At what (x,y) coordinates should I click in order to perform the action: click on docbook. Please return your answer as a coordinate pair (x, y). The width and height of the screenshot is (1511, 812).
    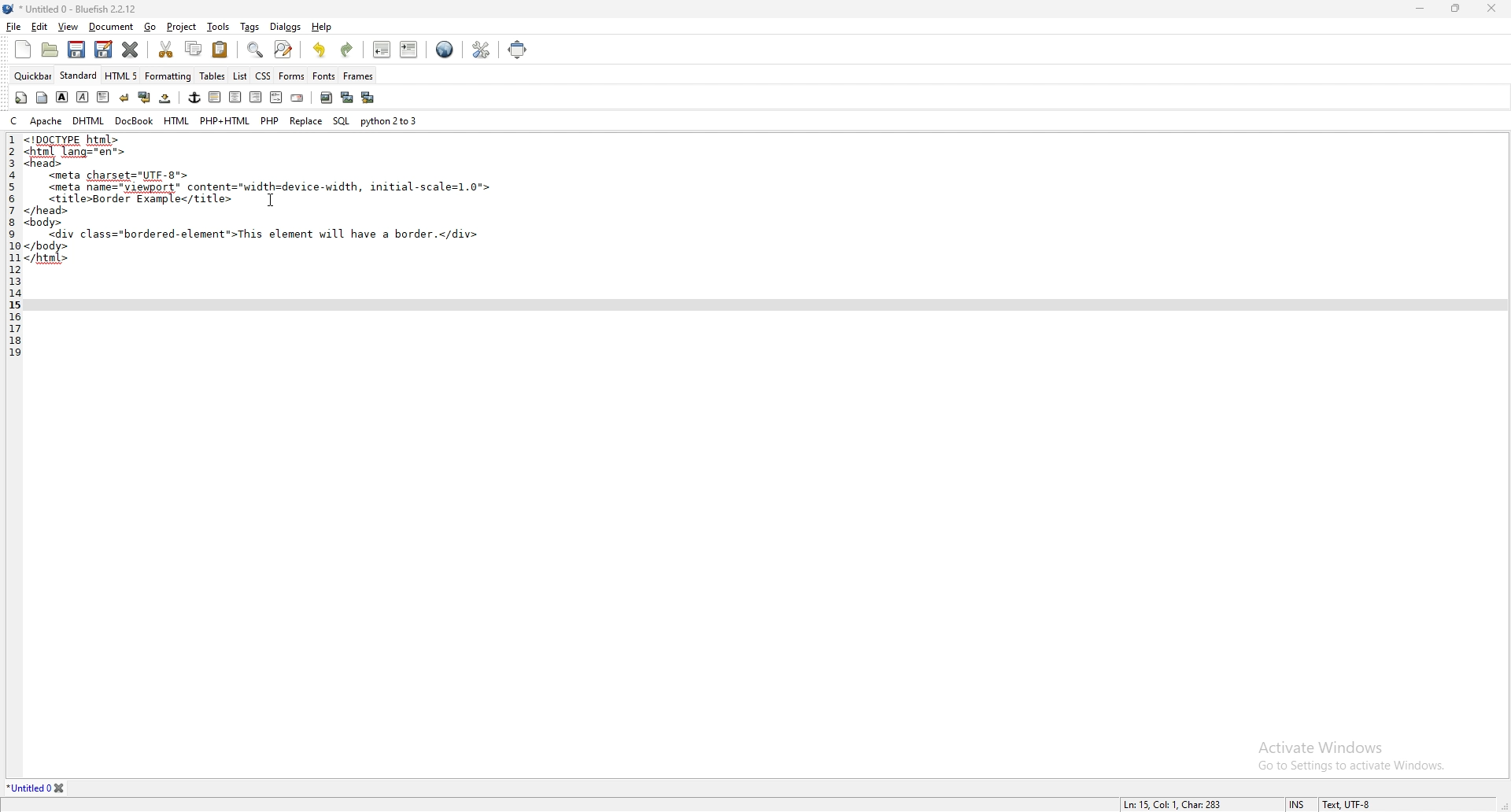
    Looking at the image, I should click on (134, 120).